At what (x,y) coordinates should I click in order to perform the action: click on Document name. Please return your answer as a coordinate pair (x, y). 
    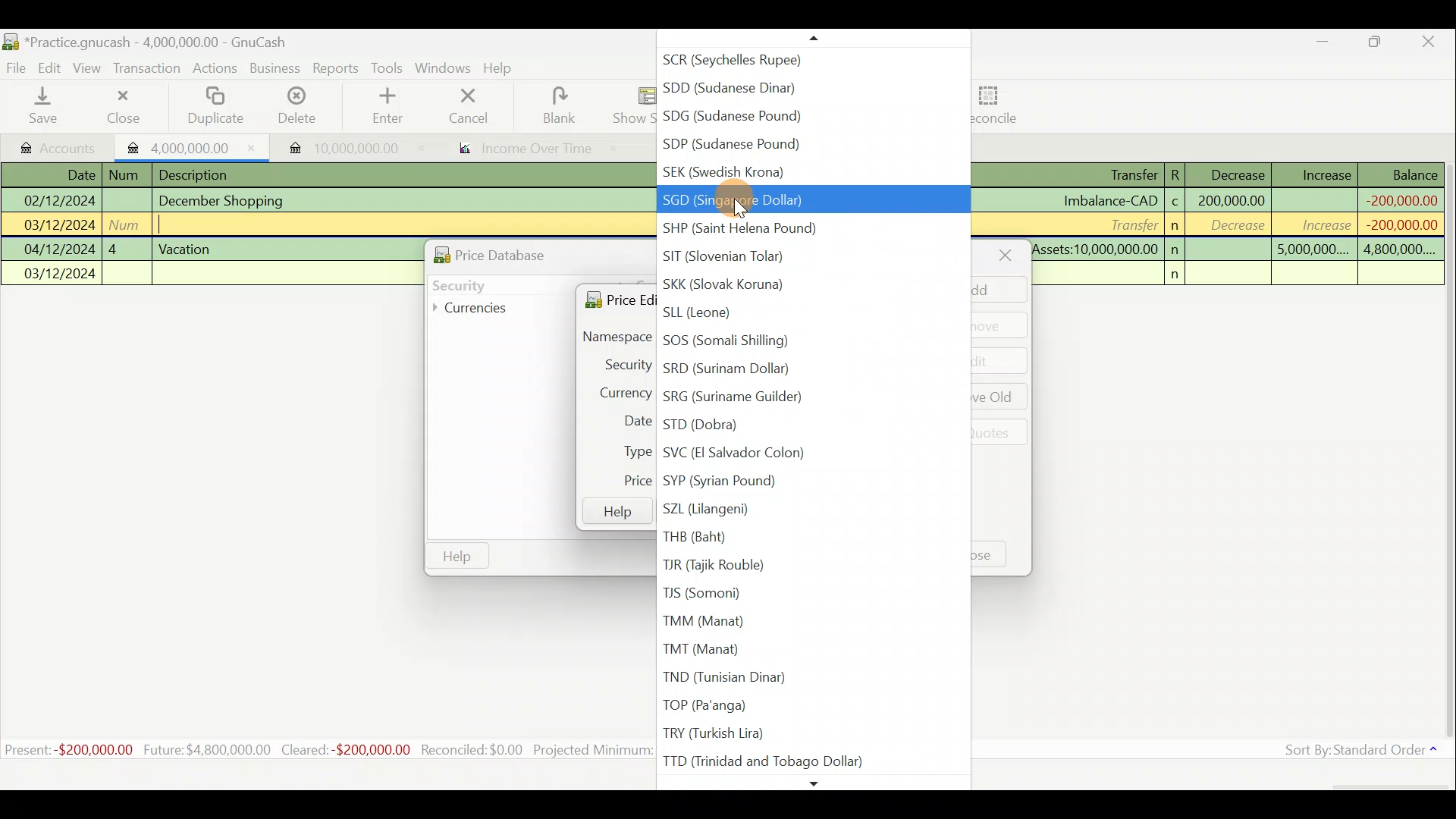
    Looking at the image, I should click on (145, 39).